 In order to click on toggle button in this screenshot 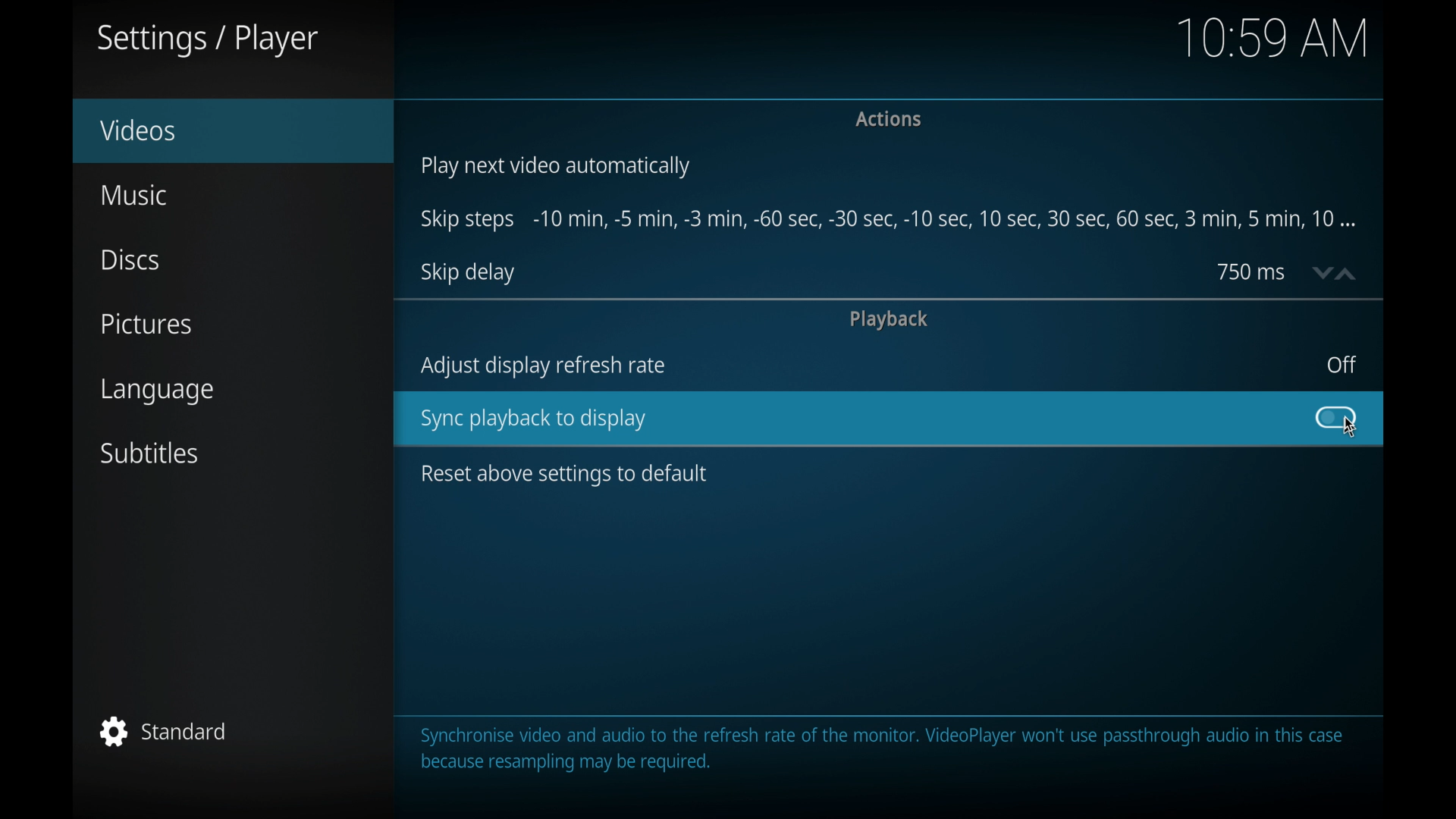, I will do `click(1338, 418)`.